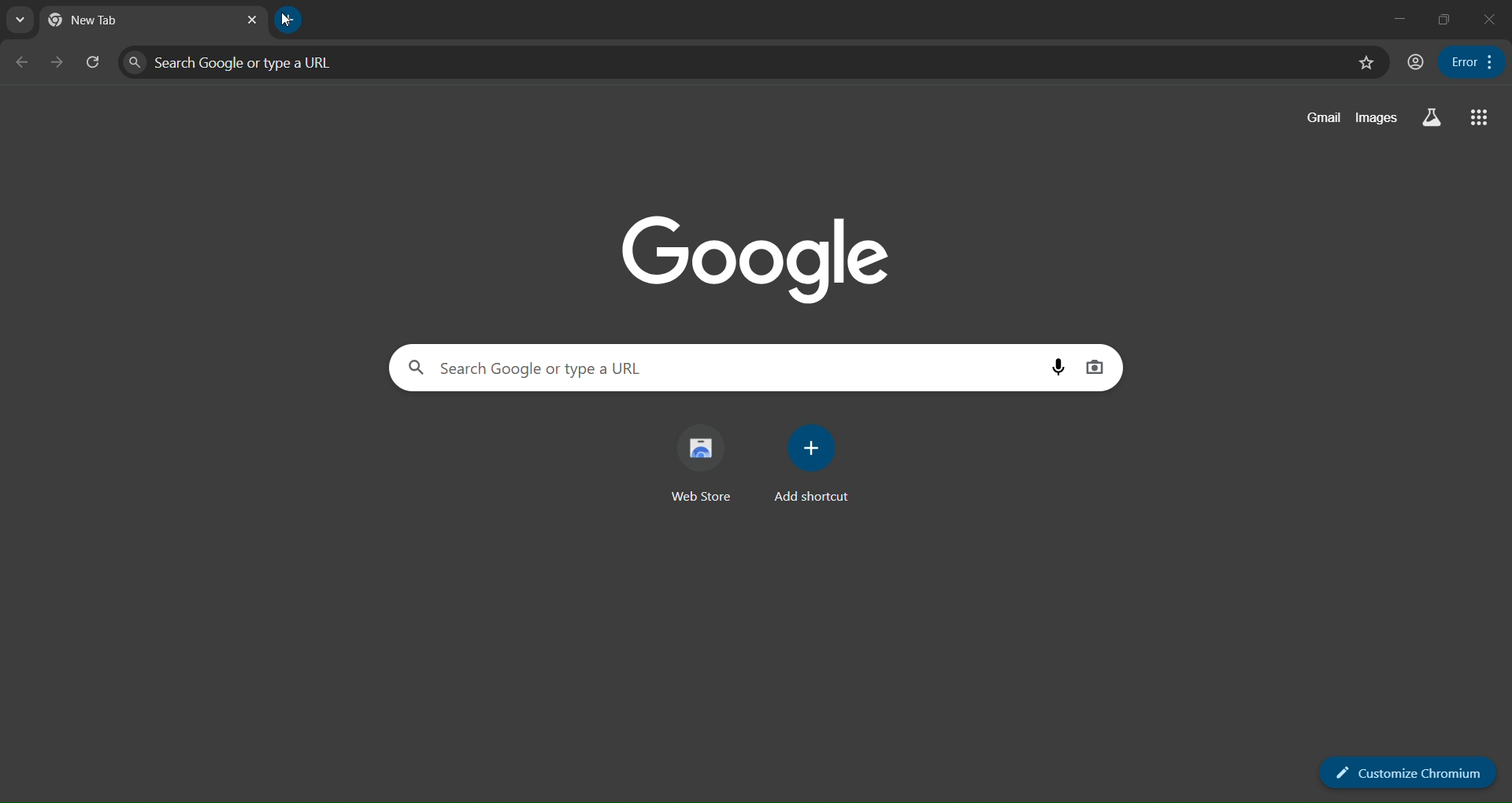 The image size is (1512, 803). What do you see at coordinates (1378, 118) in the screenshot?
I see `google images` at bounding box center [1378, 118].